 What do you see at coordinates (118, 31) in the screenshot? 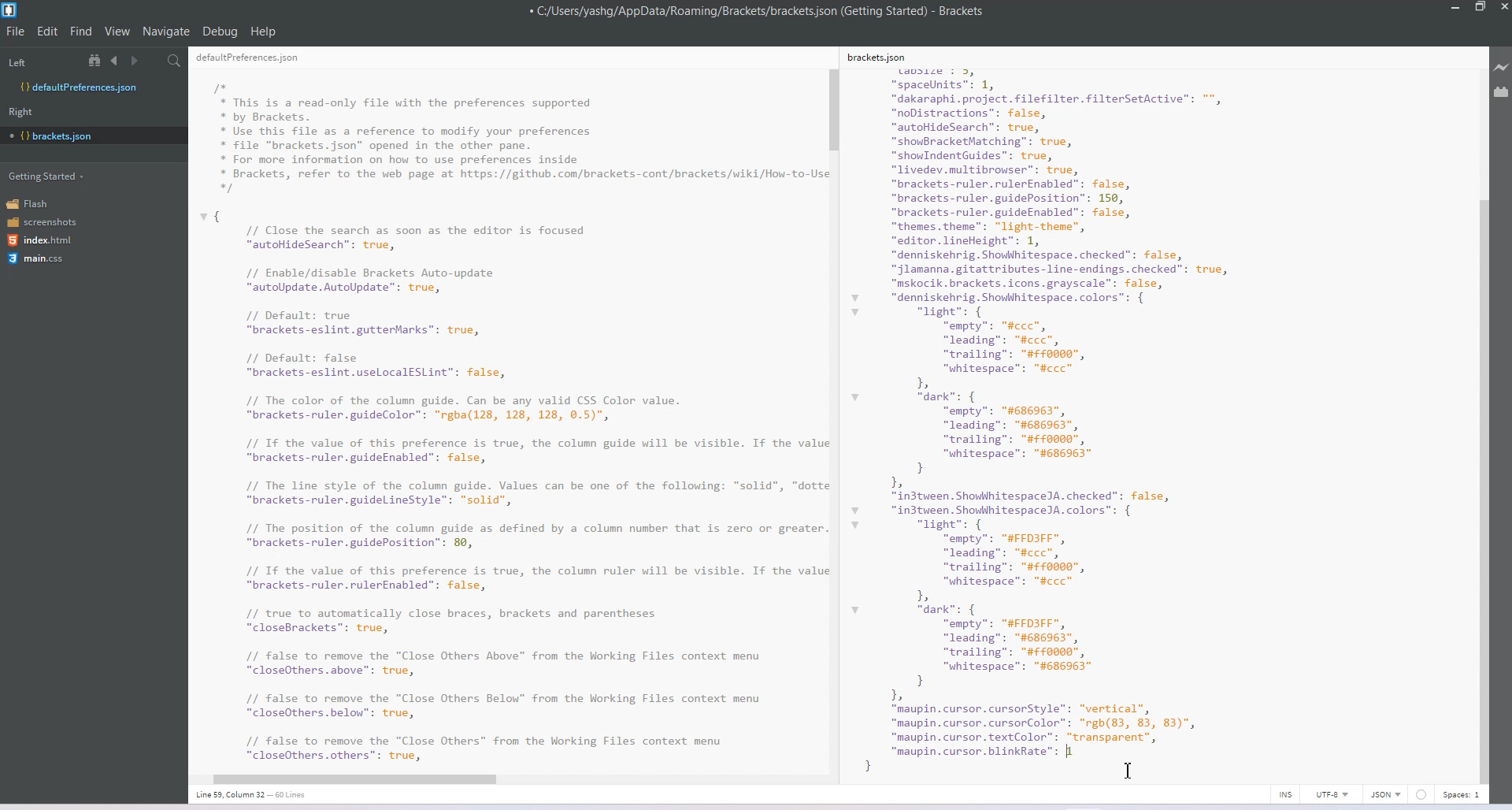
I see `View` at bounding box center [118, 31].